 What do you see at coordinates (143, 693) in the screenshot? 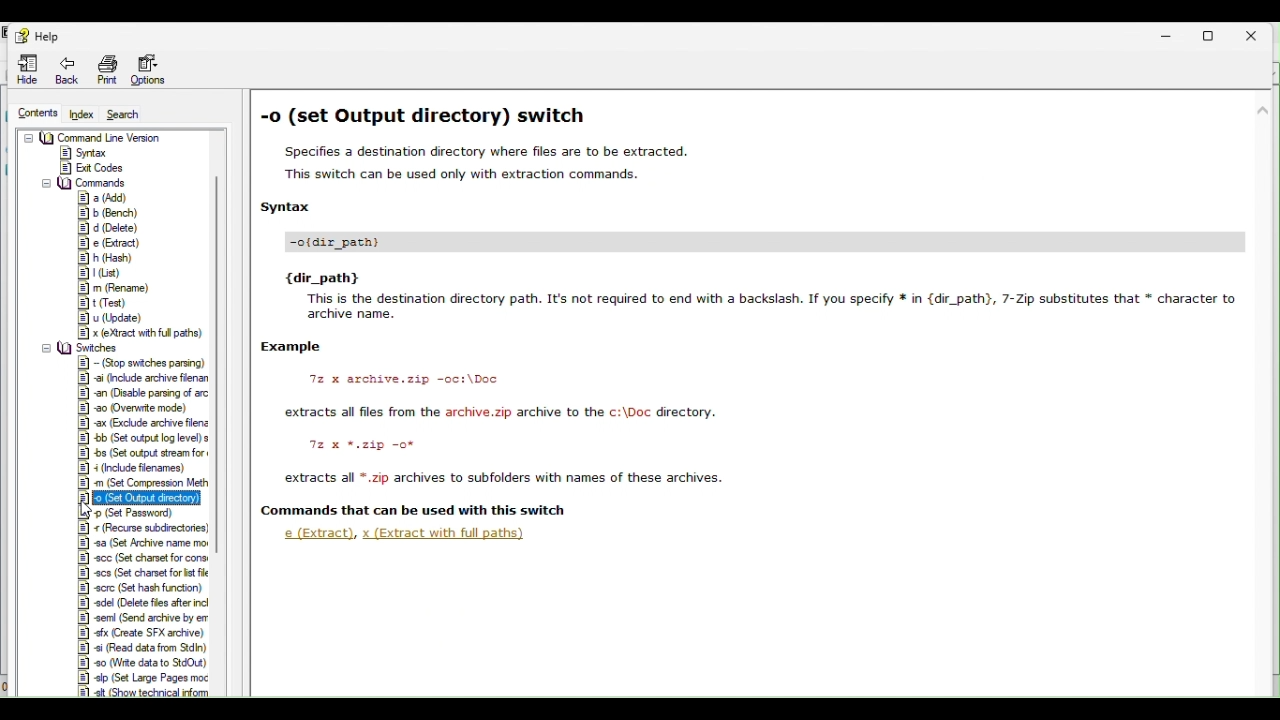
I see `Show technical information` at bounding box center [143, 693].